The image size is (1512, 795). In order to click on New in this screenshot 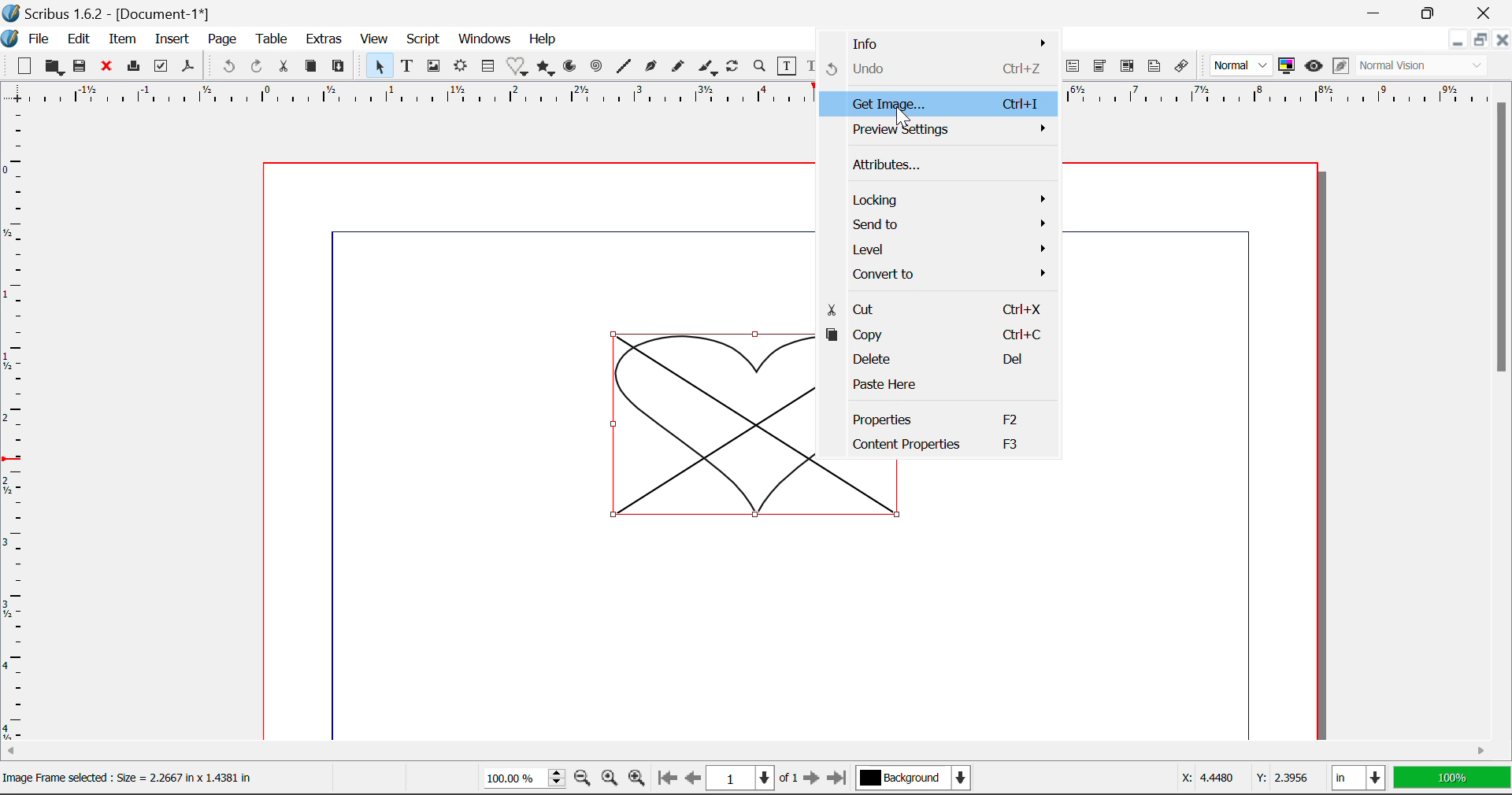, I will do `click(24, 68)`.